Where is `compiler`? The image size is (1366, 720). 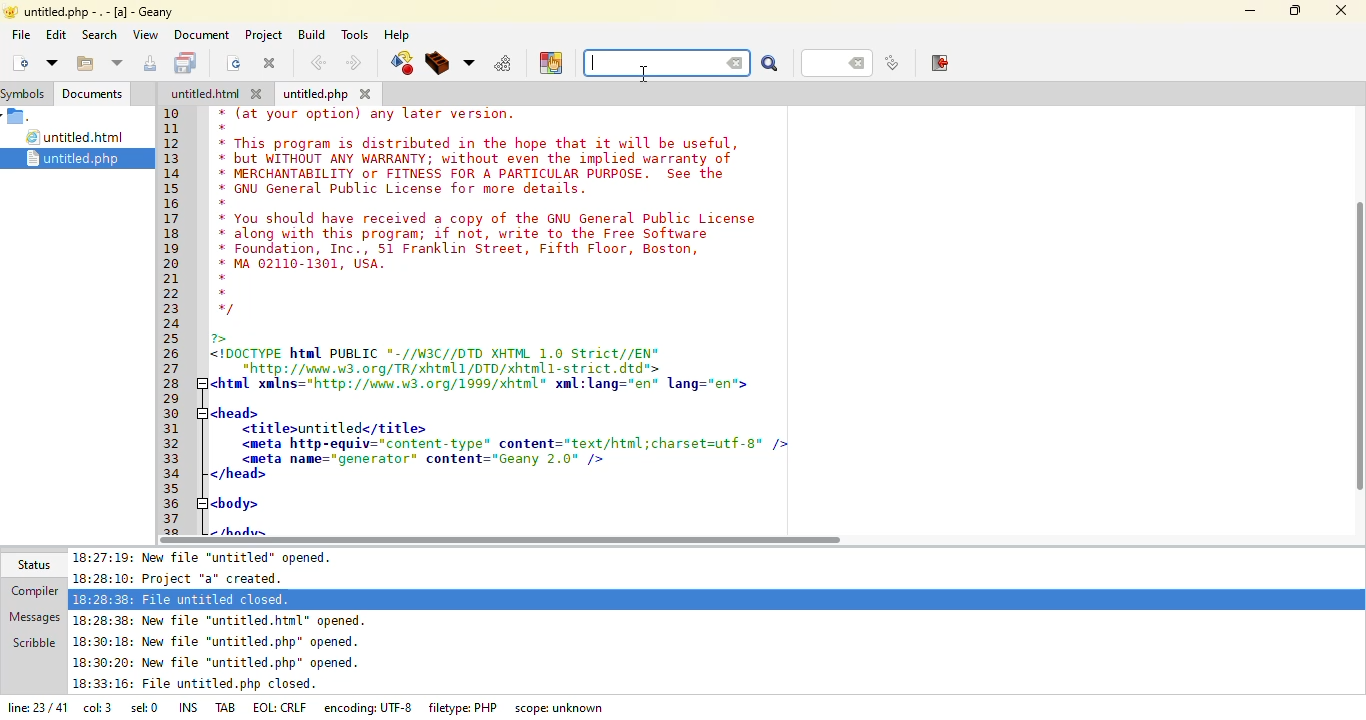
compiler is located at coordinates (30, 592).